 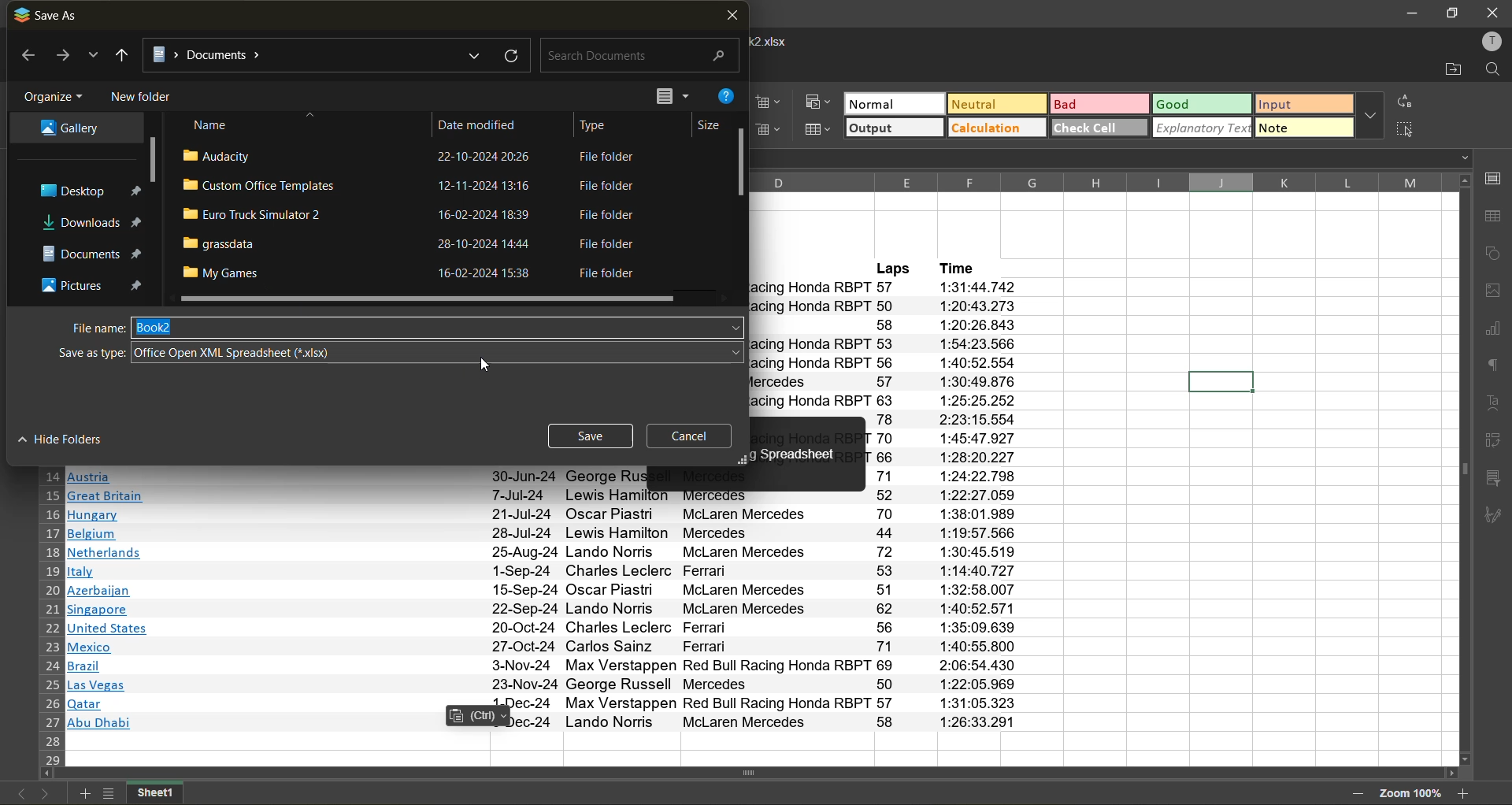 What do you see at coordinates (87, 352) in the screenshot?
I see `save as type` at bounding box center [87, 352].